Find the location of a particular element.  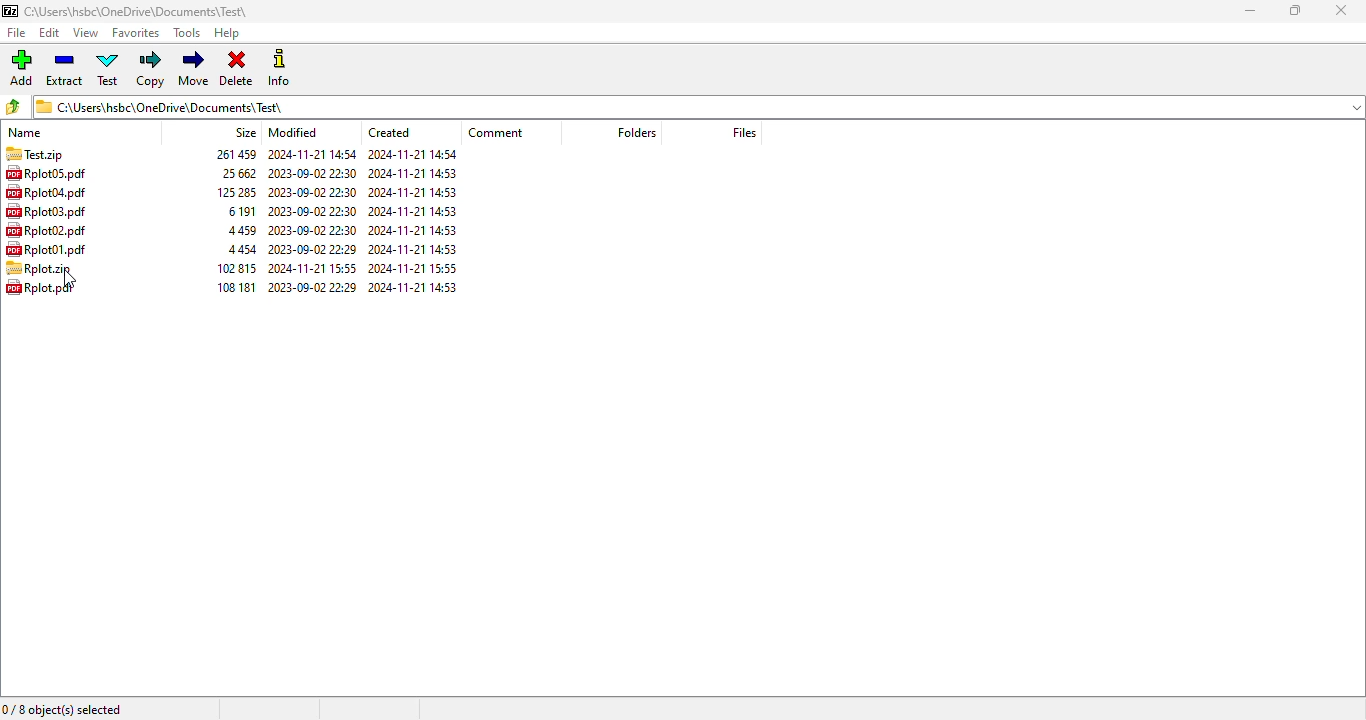

help is located at coordinates (227, 33).